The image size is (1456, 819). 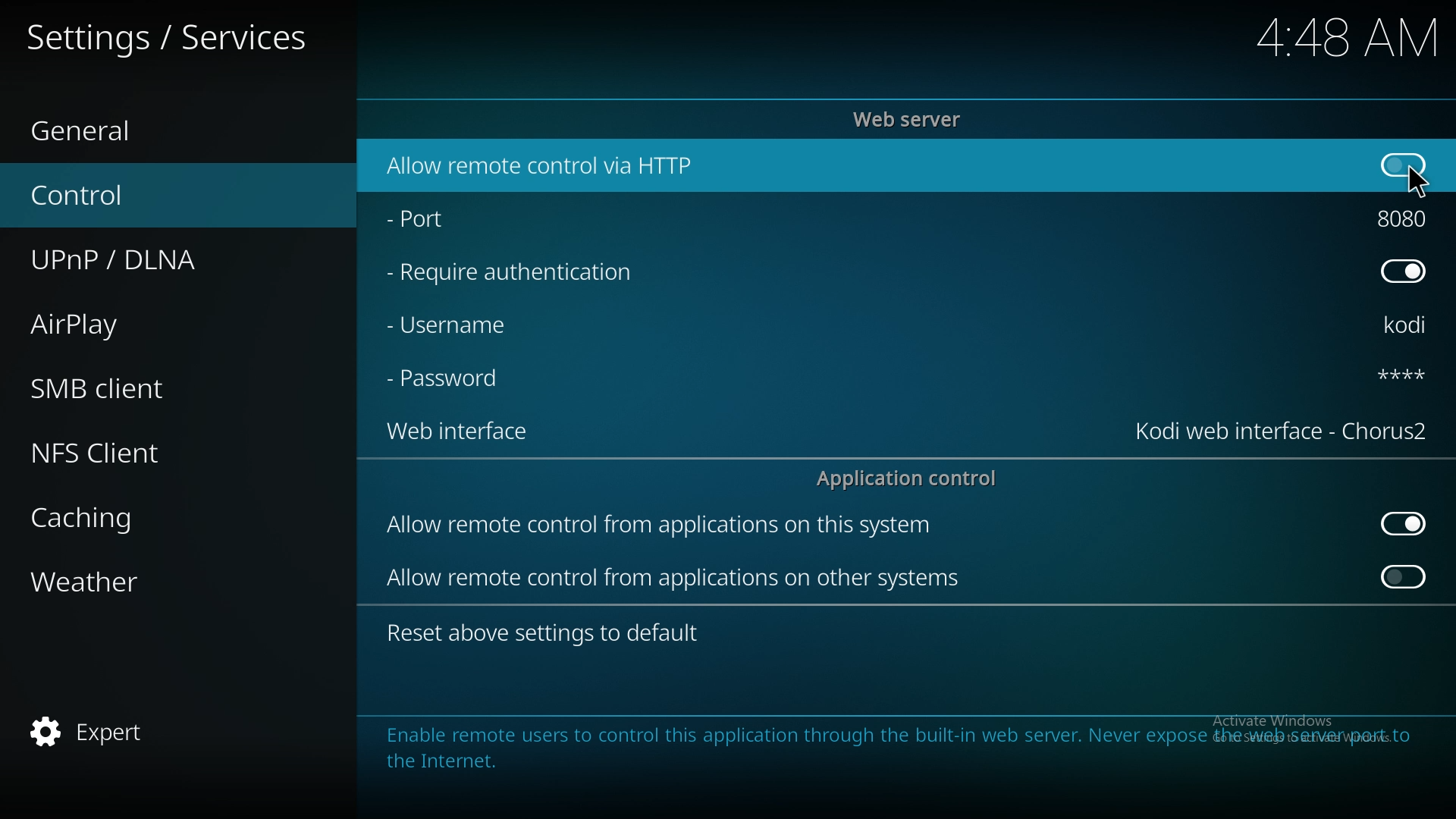 What do you see at coordinates (684, 526) in the screenshot?
I see `allow remote control from apps on this system` at bounding box center [684, 526].